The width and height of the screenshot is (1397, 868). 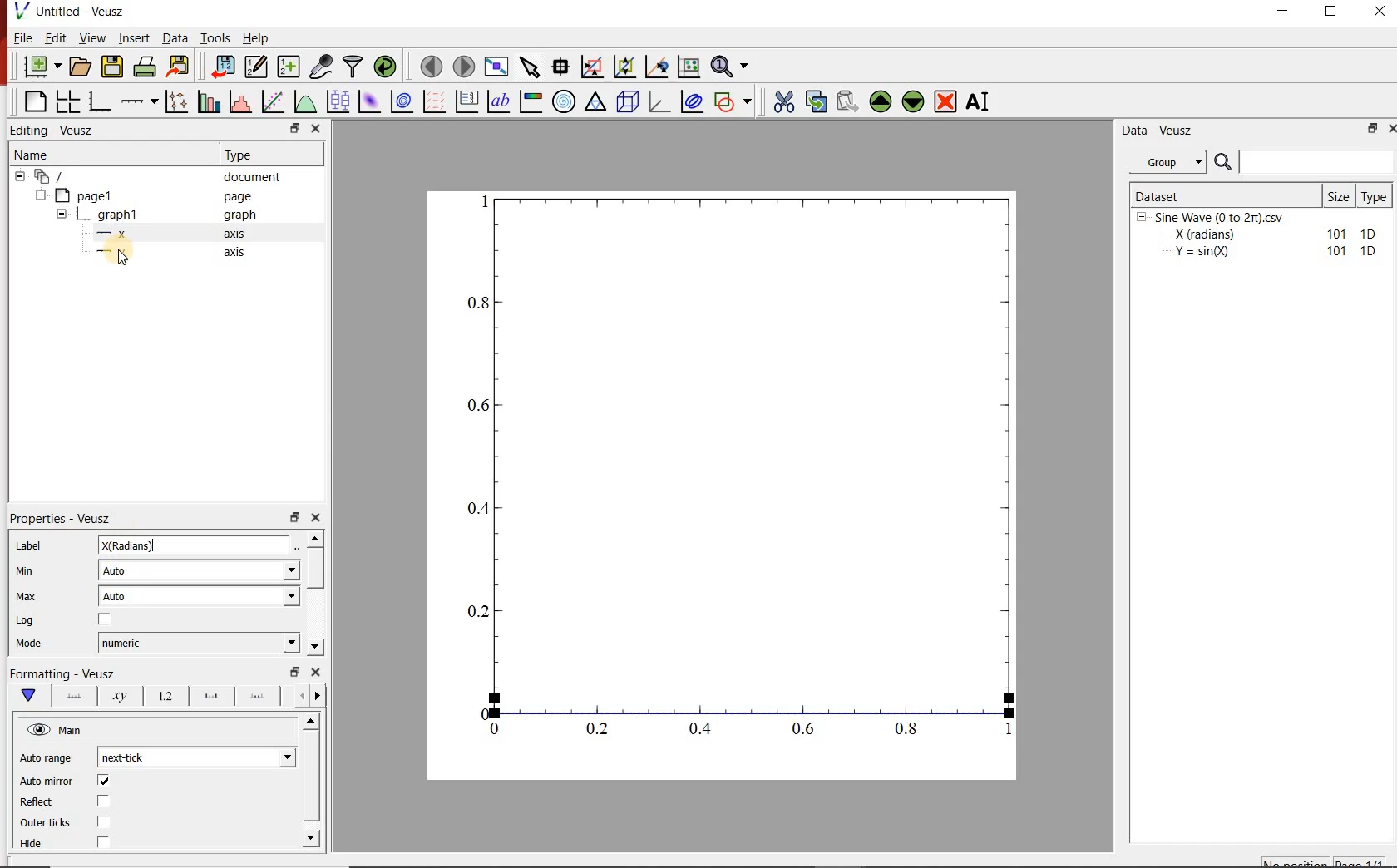 I want to click on next-tick, so click(x=196, y=756).